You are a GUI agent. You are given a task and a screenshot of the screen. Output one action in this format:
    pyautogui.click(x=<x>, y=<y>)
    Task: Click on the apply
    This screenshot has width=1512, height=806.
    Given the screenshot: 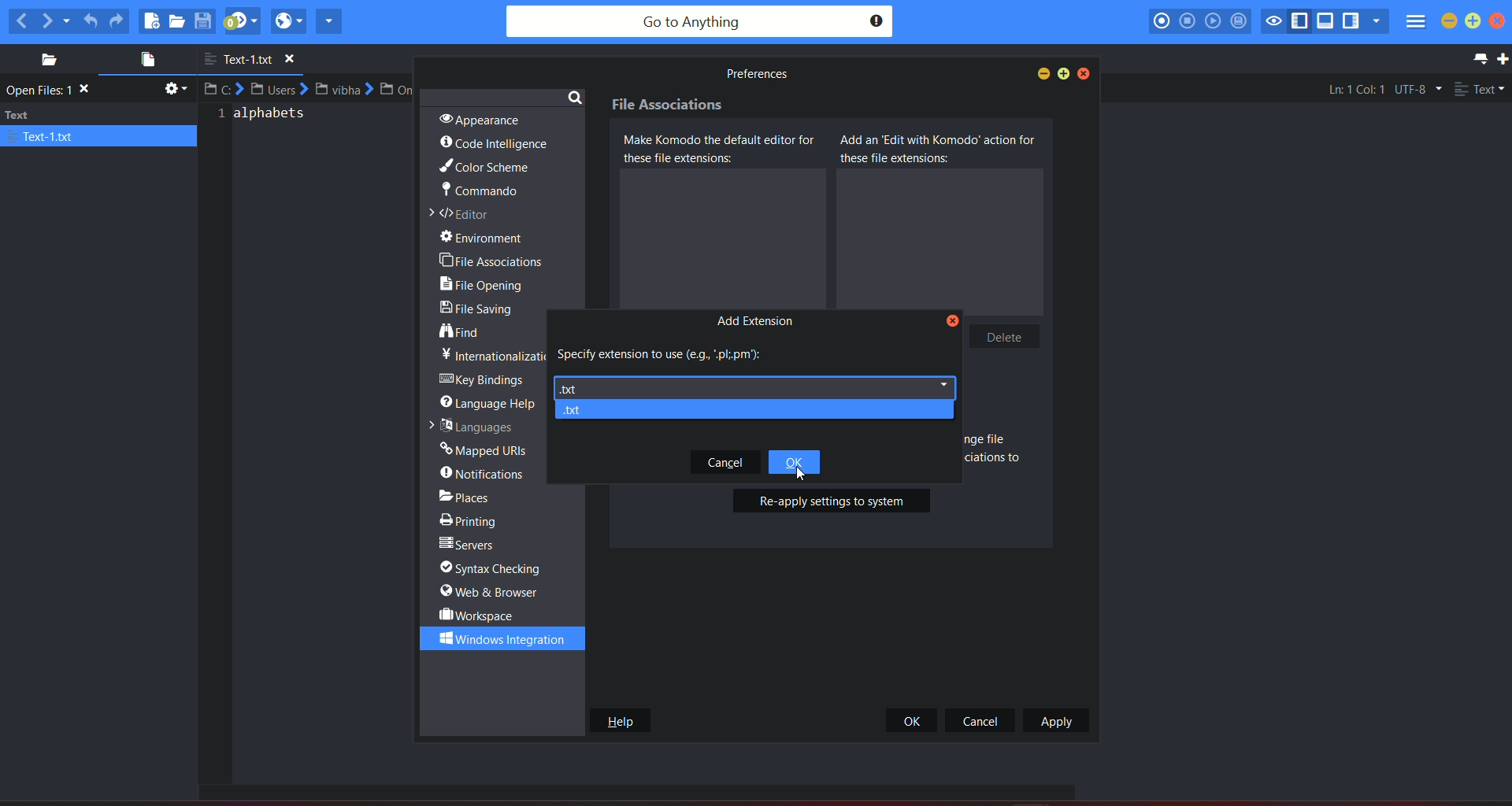 What is the action you would take?
    pyautogui.click(x=1055, y=721)
    